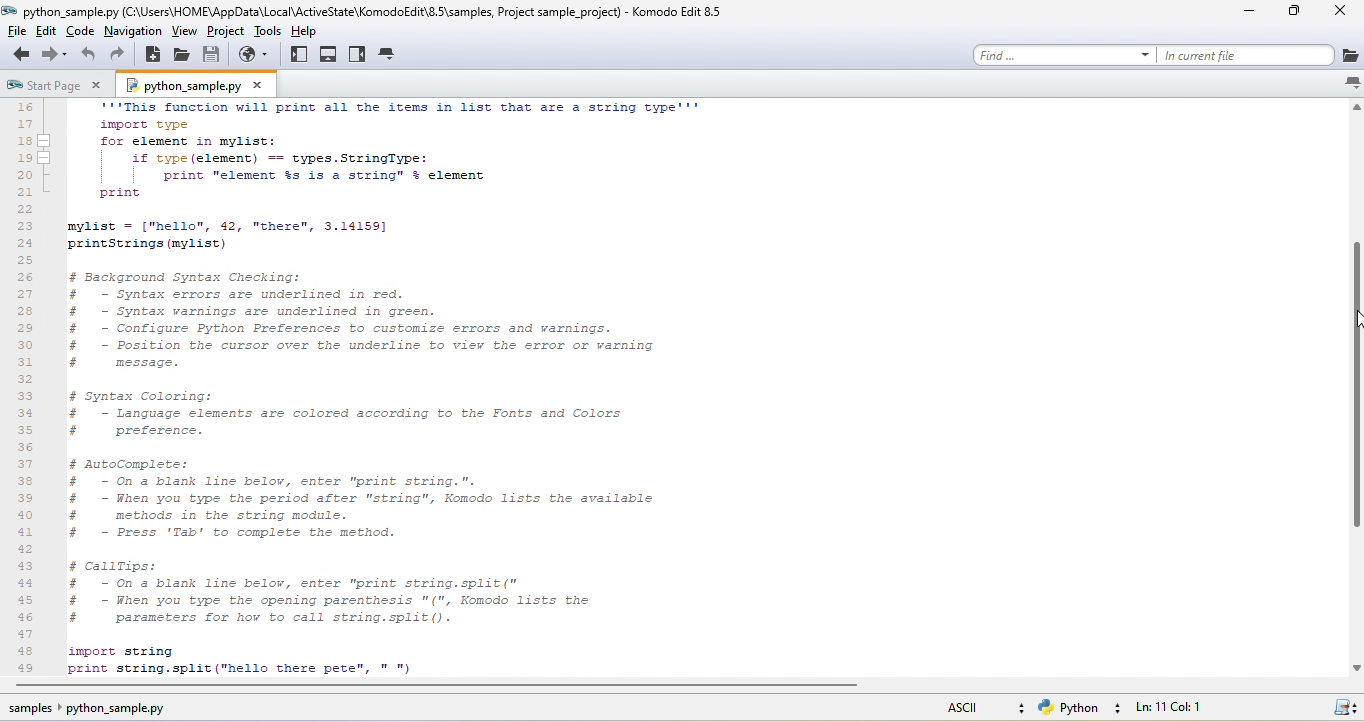 This screenshot has height=722, width=1364. Describe the element at coordinates (1254, 12) in the screenshot. I see `minimize` at that location.